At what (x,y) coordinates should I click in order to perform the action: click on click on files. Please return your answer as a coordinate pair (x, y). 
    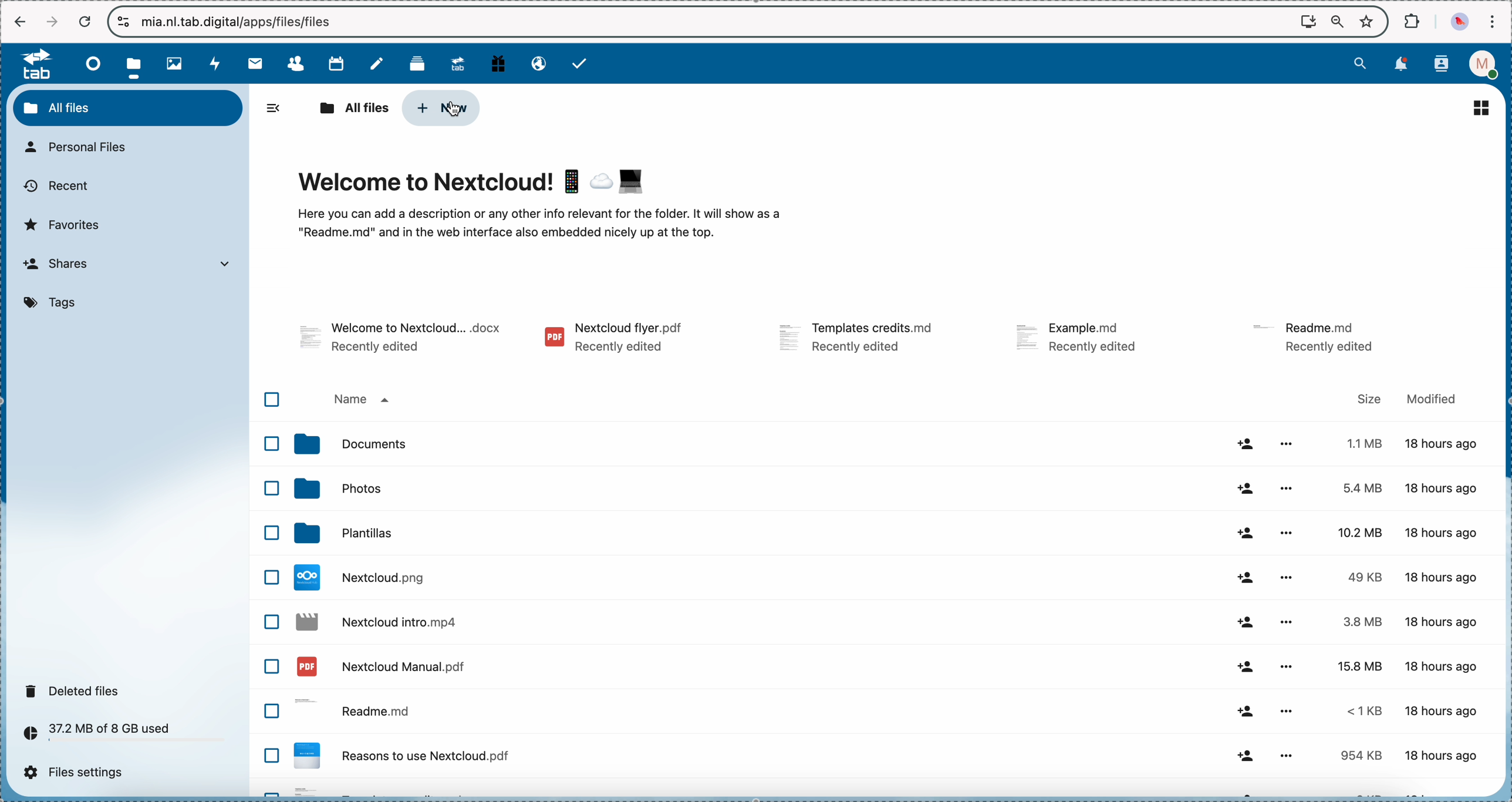
    Looking at the image, I should click on (137, 63).